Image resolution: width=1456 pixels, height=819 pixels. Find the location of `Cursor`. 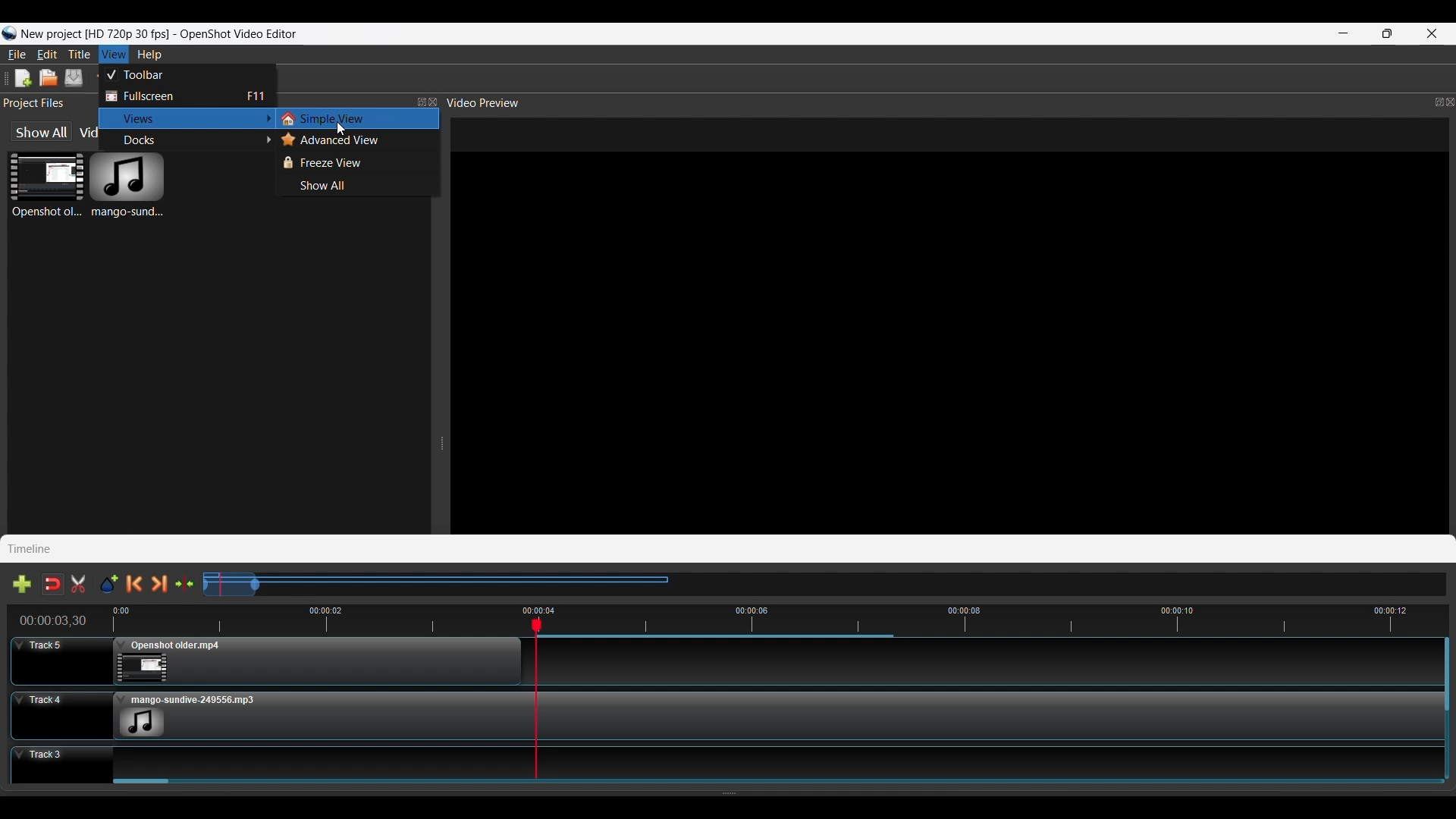

Cursor is located at coordinates (342, 129).